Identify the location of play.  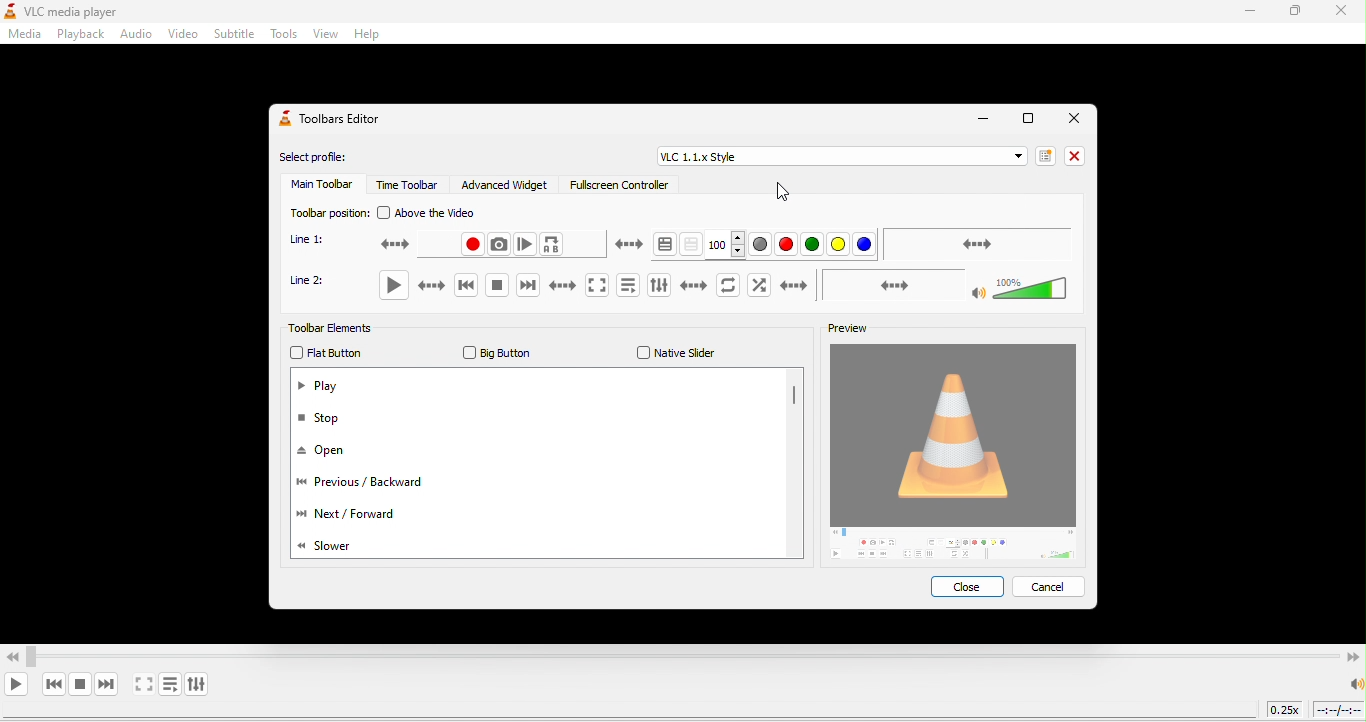
(19, 685).